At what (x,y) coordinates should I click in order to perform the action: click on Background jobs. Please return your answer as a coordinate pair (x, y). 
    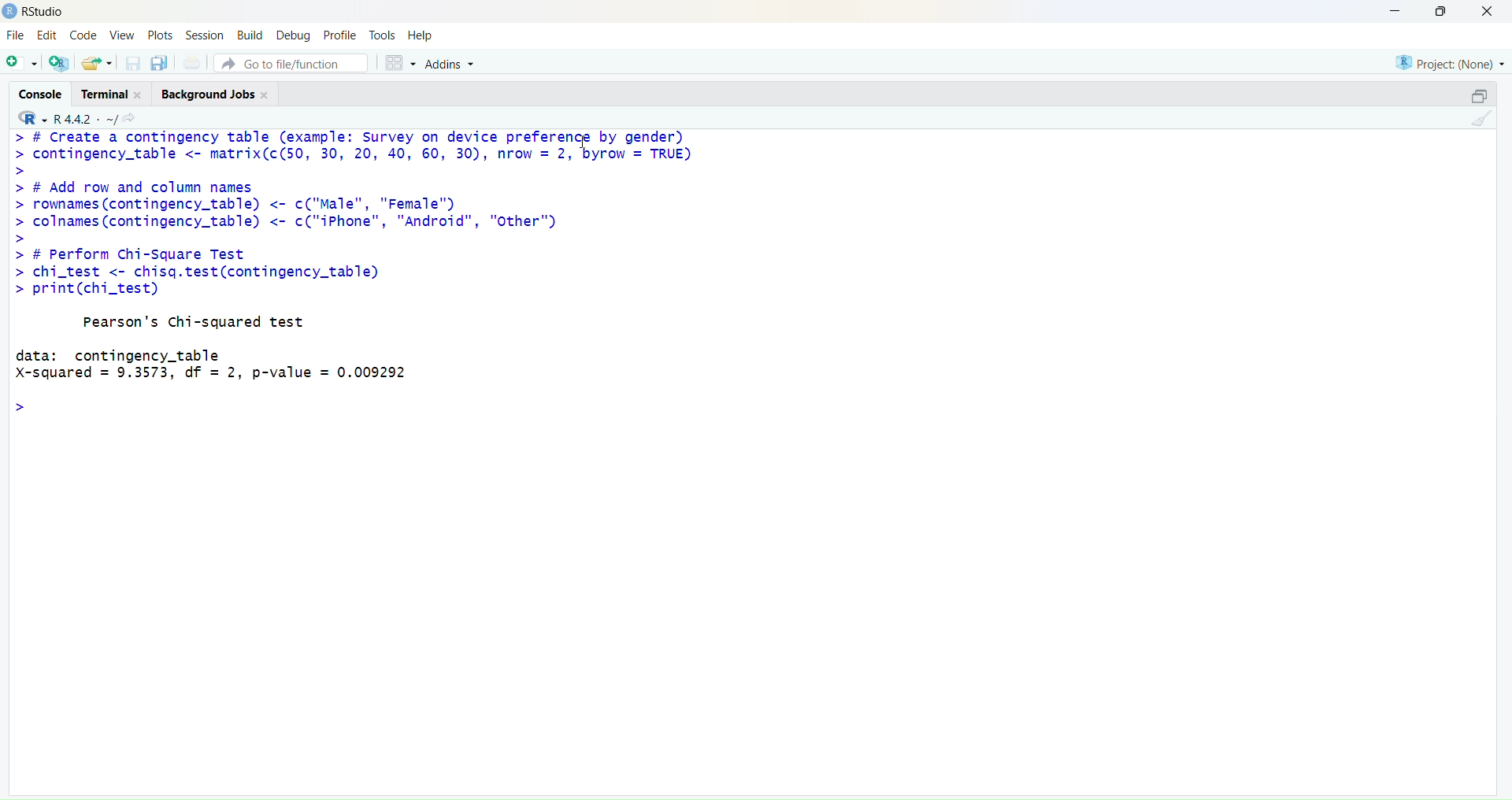
    Looking at the image, I should click on (208, 95).